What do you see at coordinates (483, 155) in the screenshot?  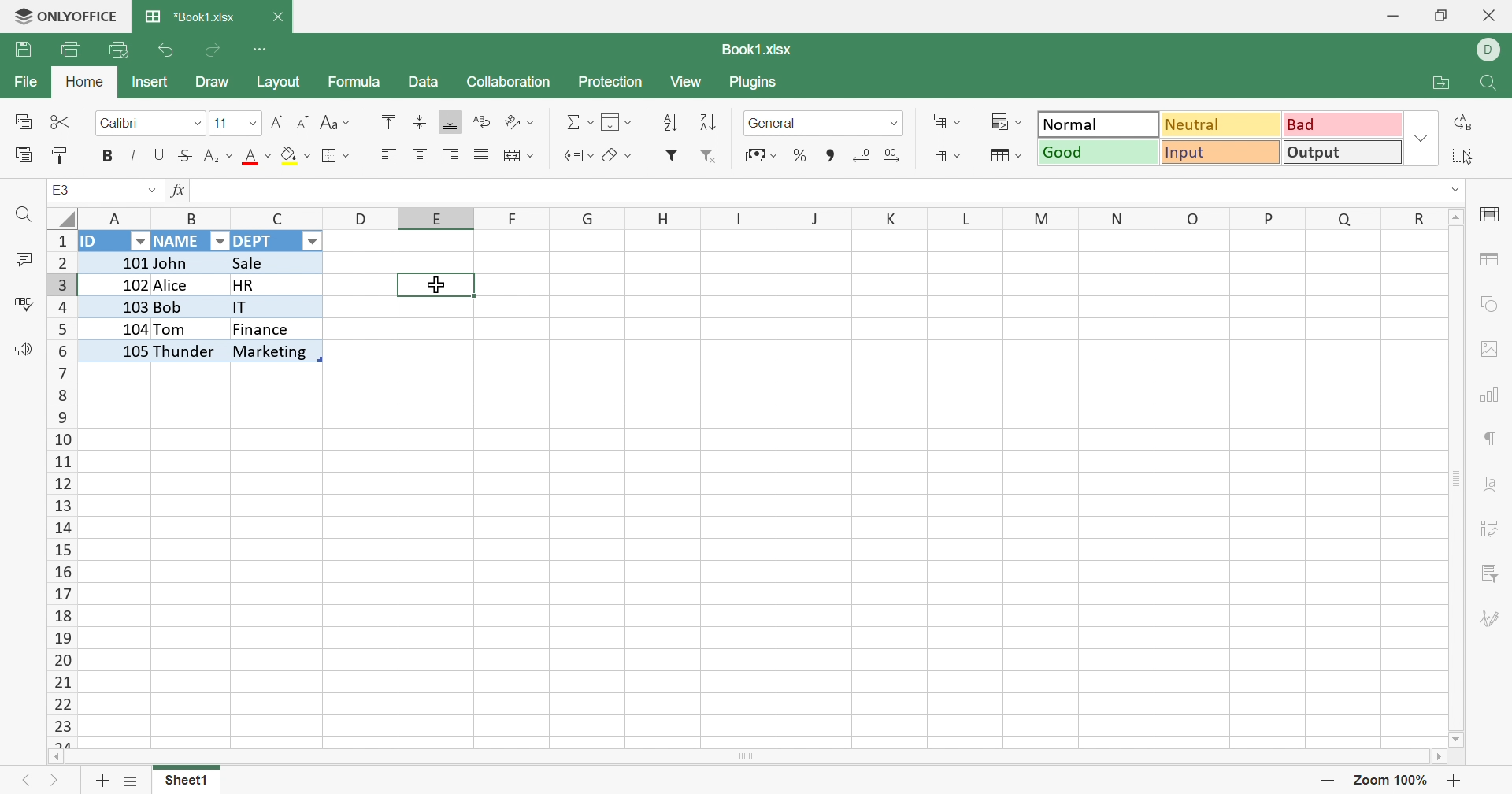 I see `Justified` at bounding box center [483, 155].